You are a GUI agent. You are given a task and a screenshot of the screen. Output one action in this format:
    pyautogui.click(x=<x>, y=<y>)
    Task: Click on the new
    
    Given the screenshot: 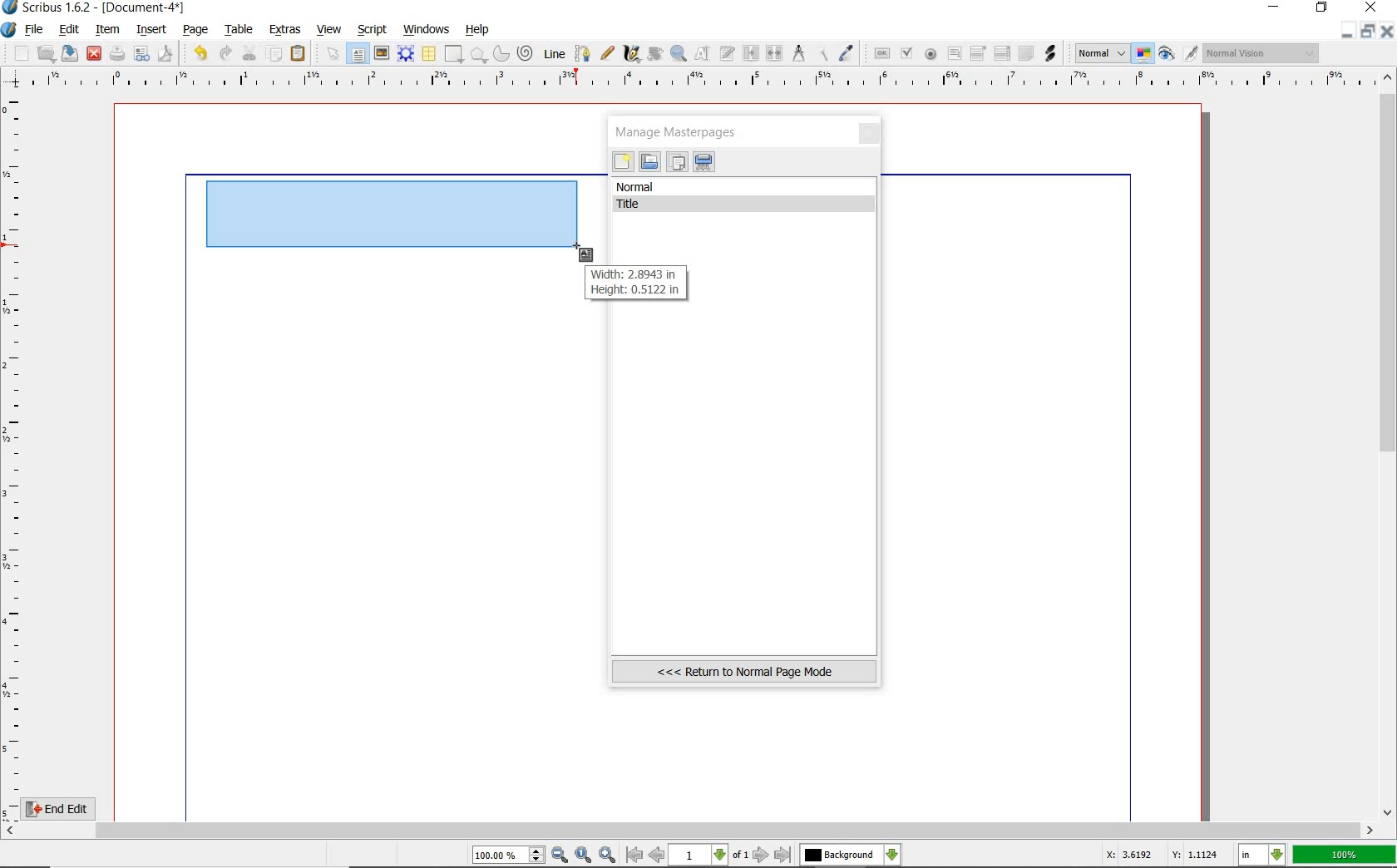 What is the action you would take?
    pyautogui.click(x=16, y=53)
    